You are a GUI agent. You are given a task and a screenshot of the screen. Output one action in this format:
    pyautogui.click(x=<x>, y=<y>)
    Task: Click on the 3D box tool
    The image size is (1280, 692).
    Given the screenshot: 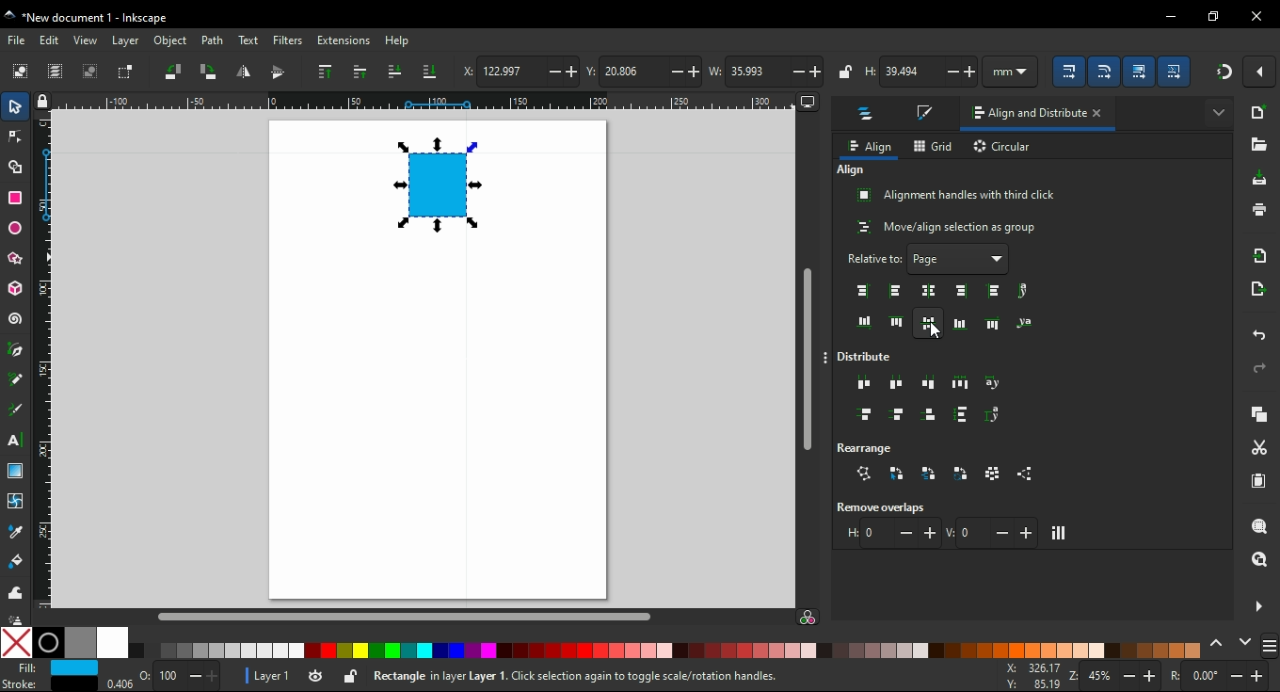 What is the action you would take?
    pyautogui.click(x=14, y=288)
    